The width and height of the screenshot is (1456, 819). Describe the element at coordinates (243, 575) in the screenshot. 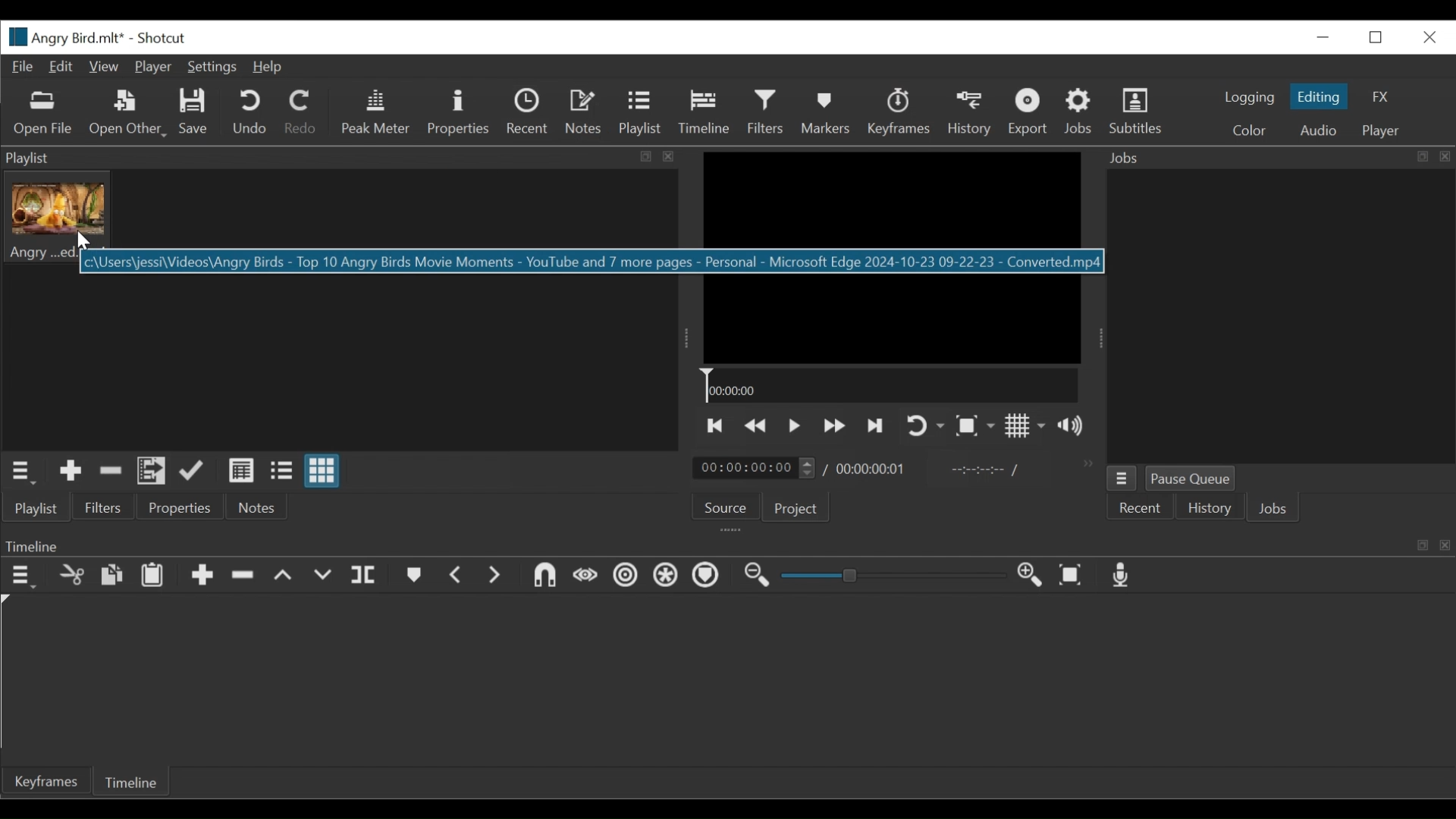

I see `Ripple delete` at that location.